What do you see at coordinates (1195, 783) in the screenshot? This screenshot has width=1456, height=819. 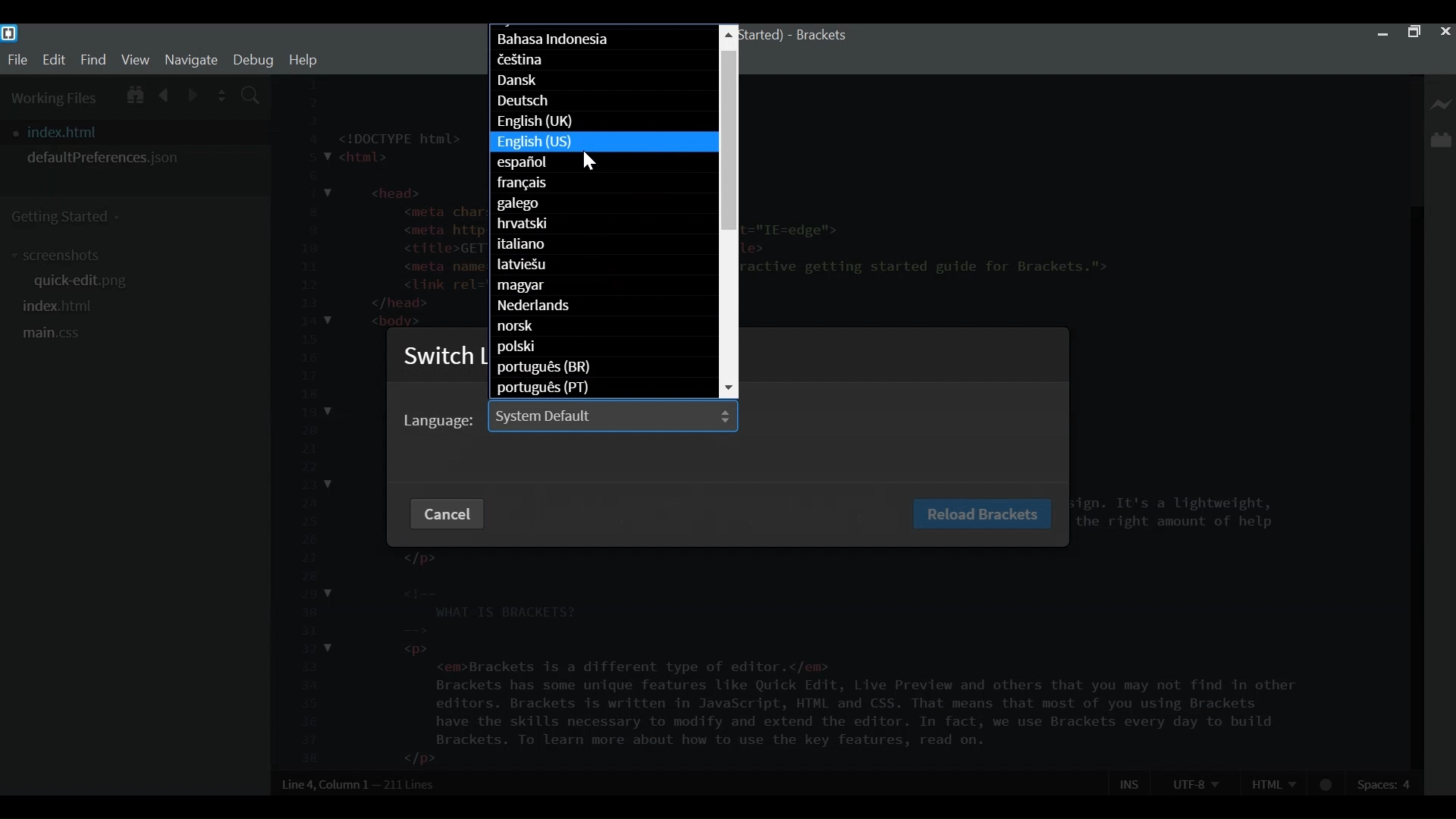 I see `UTF-8` at bounding box center [1195, 783].